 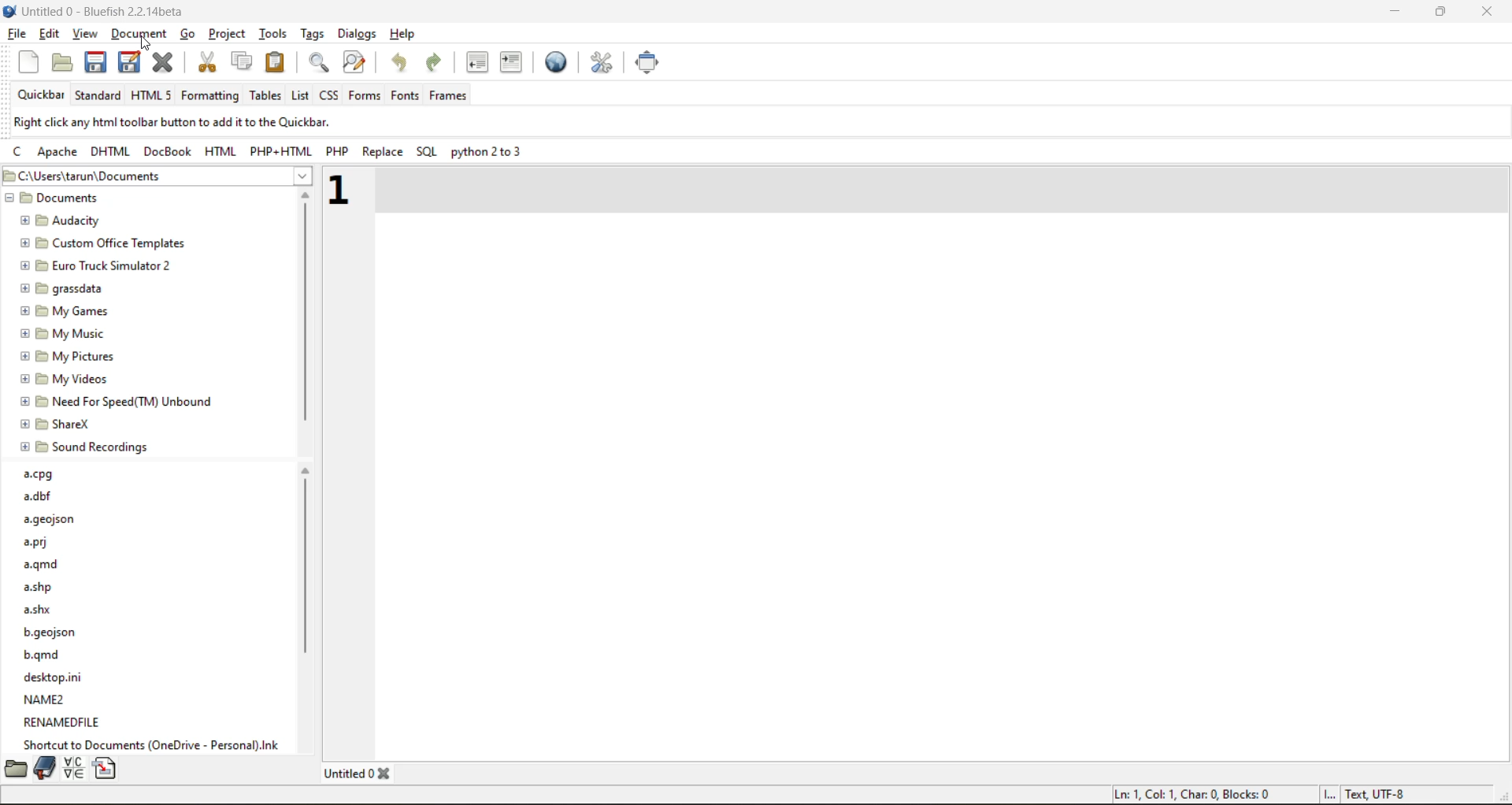 What do you see at coordinates (70, 358) in the screenshot?
I see `my pictures` at bounding box center [70, 358].